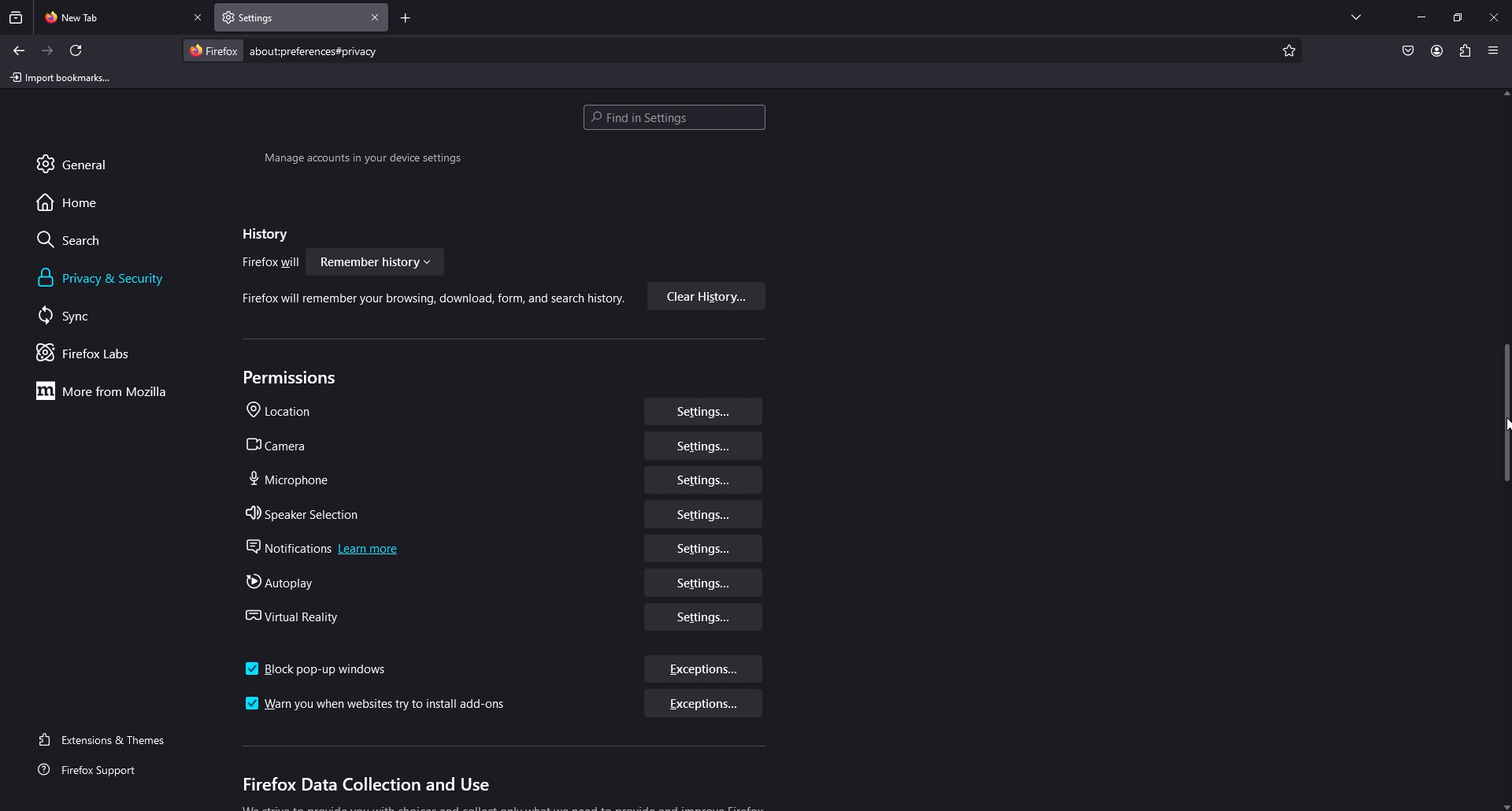  What do you see at coordinates (406, 20) in the screenshot?
I see `add tab` at bounding box center [406, 20].